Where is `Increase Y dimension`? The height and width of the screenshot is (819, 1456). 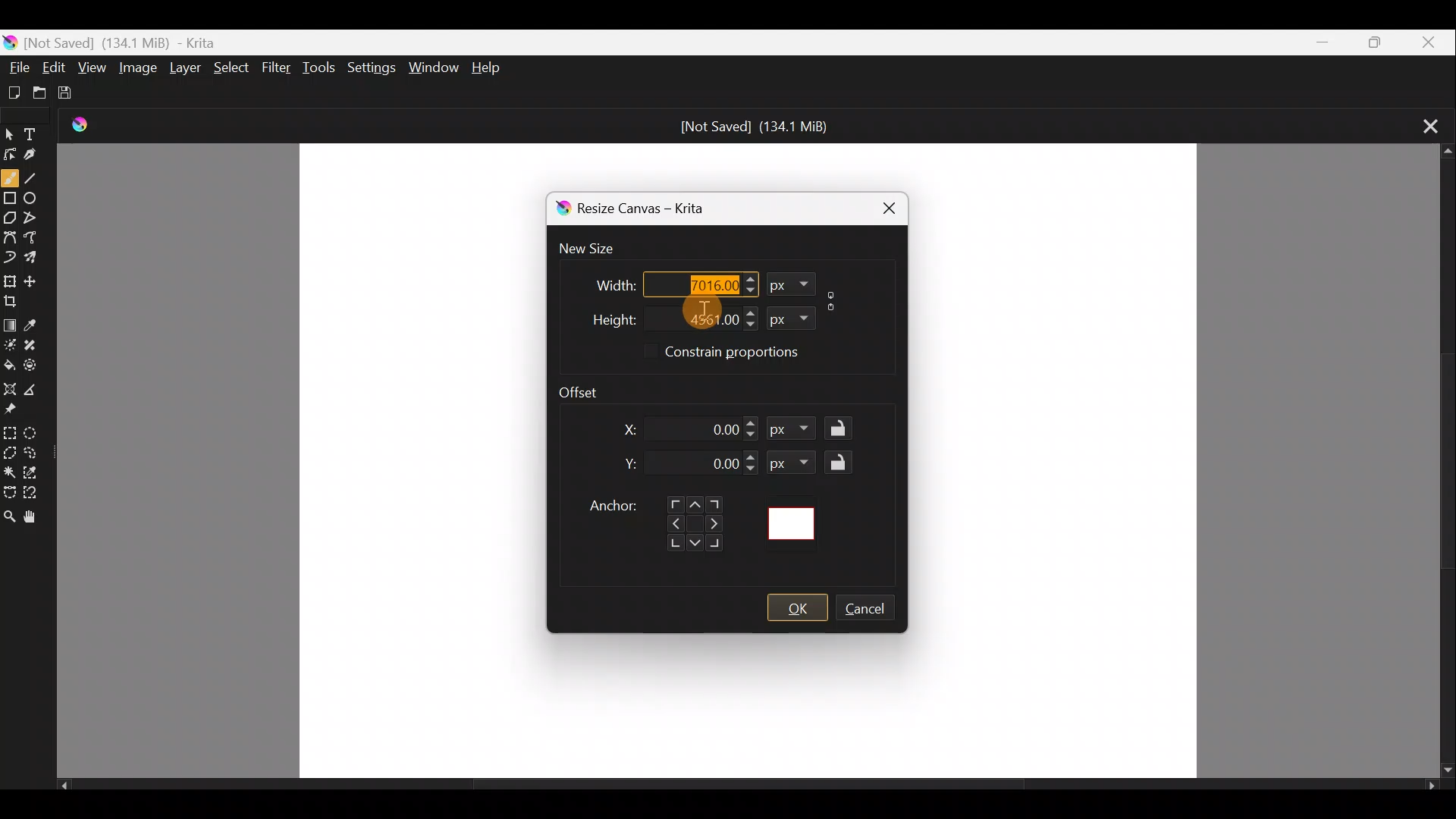
Increase Y dimension is located at coordinates (752, 457).